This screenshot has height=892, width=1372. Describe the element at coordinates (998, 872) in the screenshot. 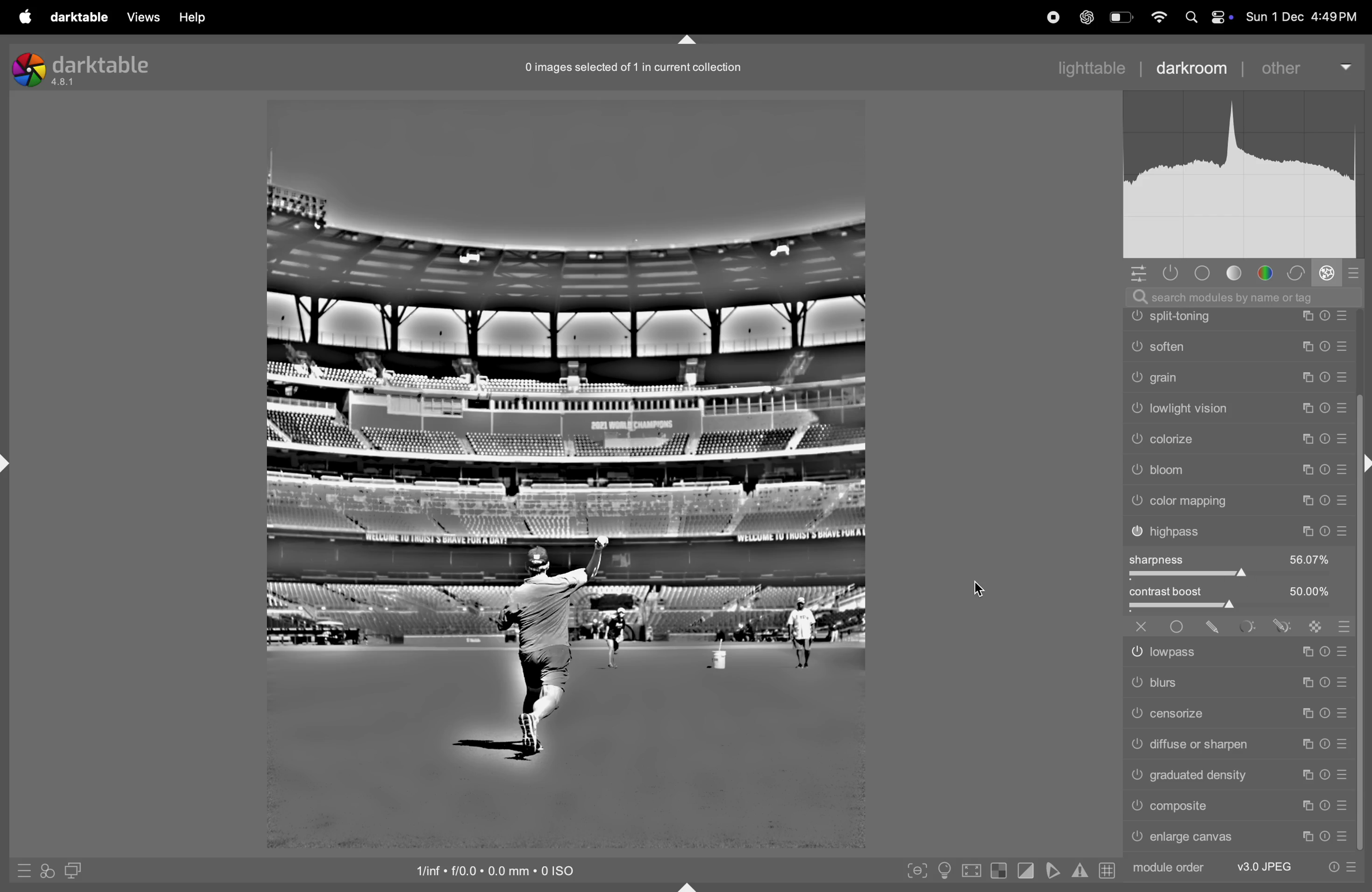

I see `toggle raw indication exposure` at that location.